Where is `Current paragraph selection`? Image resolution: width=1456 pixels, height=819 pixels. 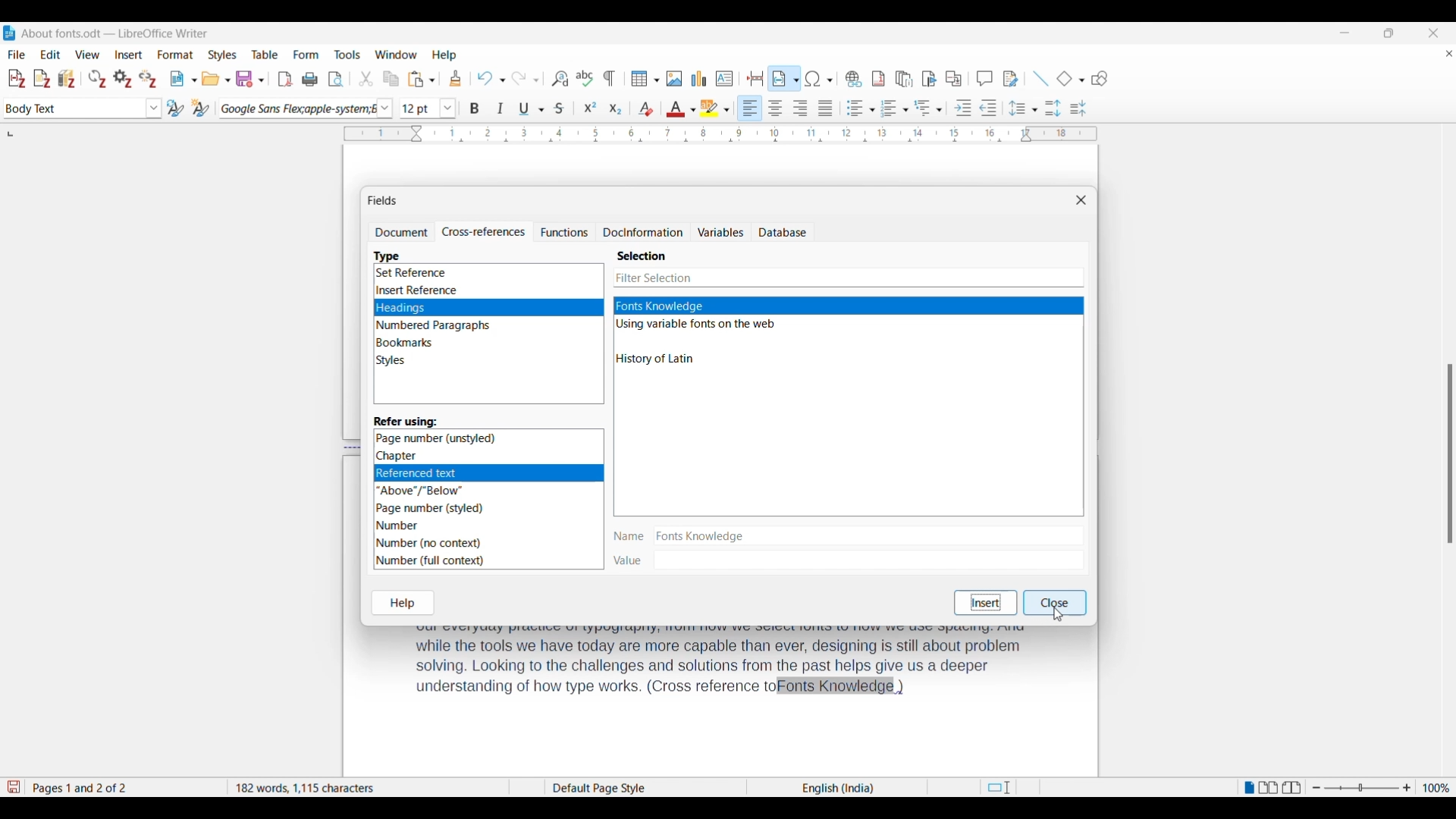
Current paragraph selection is located at coordinates (74, 109).